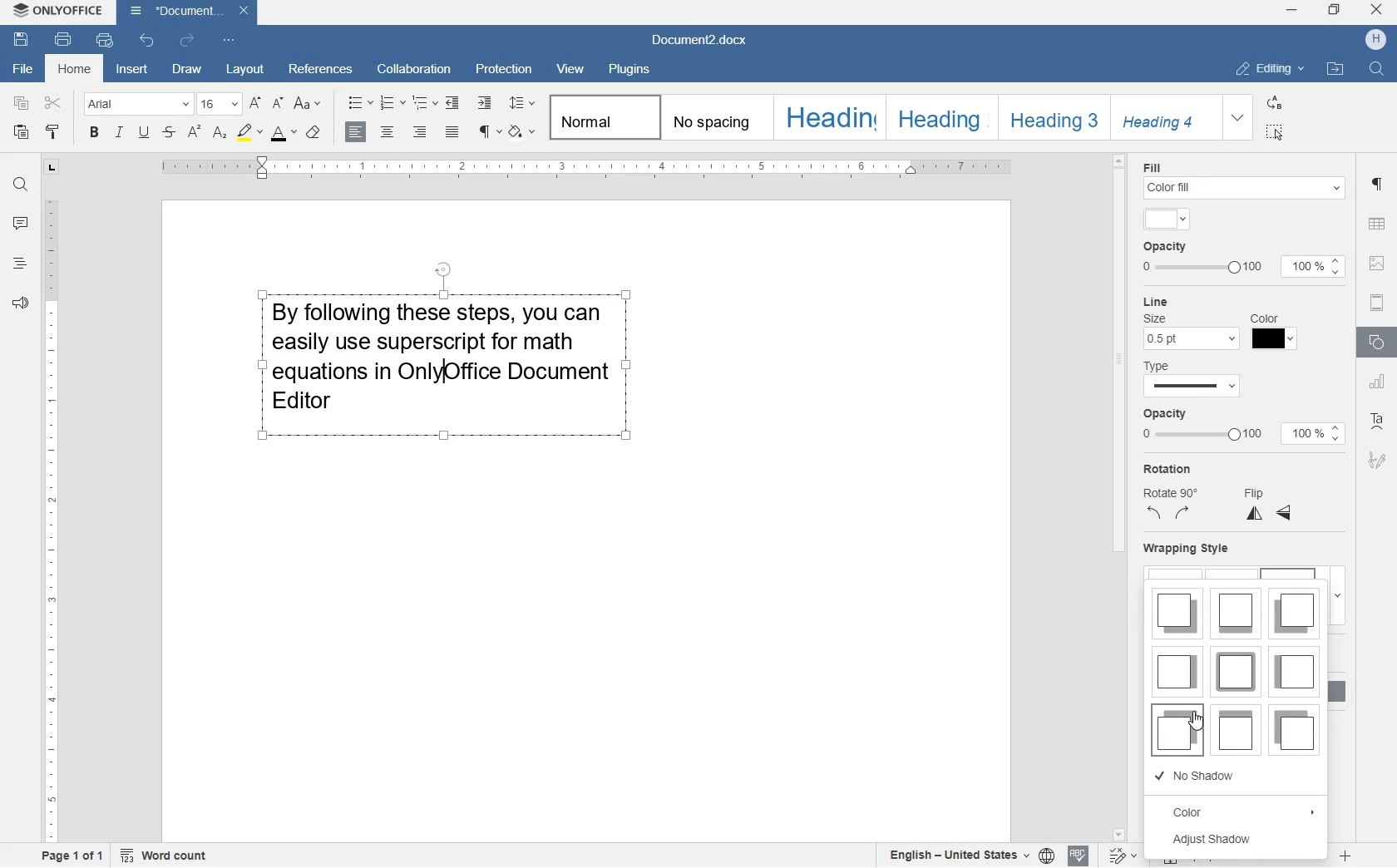 This screenshot has width=1397, height=868. I want to click on redo, so click(187, 42).